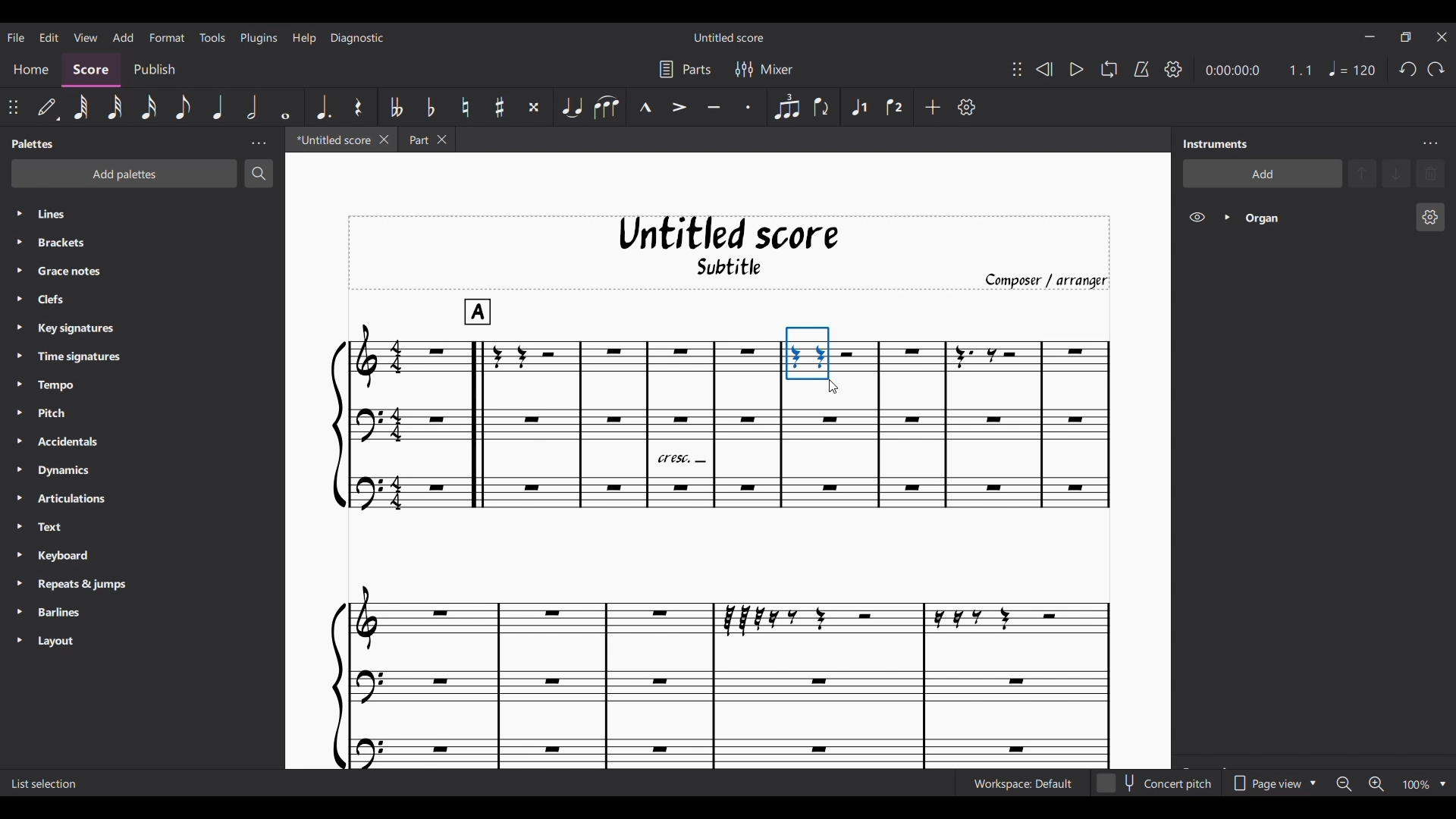 This screenshot has height=819, width=1456. Describe the element at coordinates (124, 174) in the screenshot. I see `Add palette` at that location.